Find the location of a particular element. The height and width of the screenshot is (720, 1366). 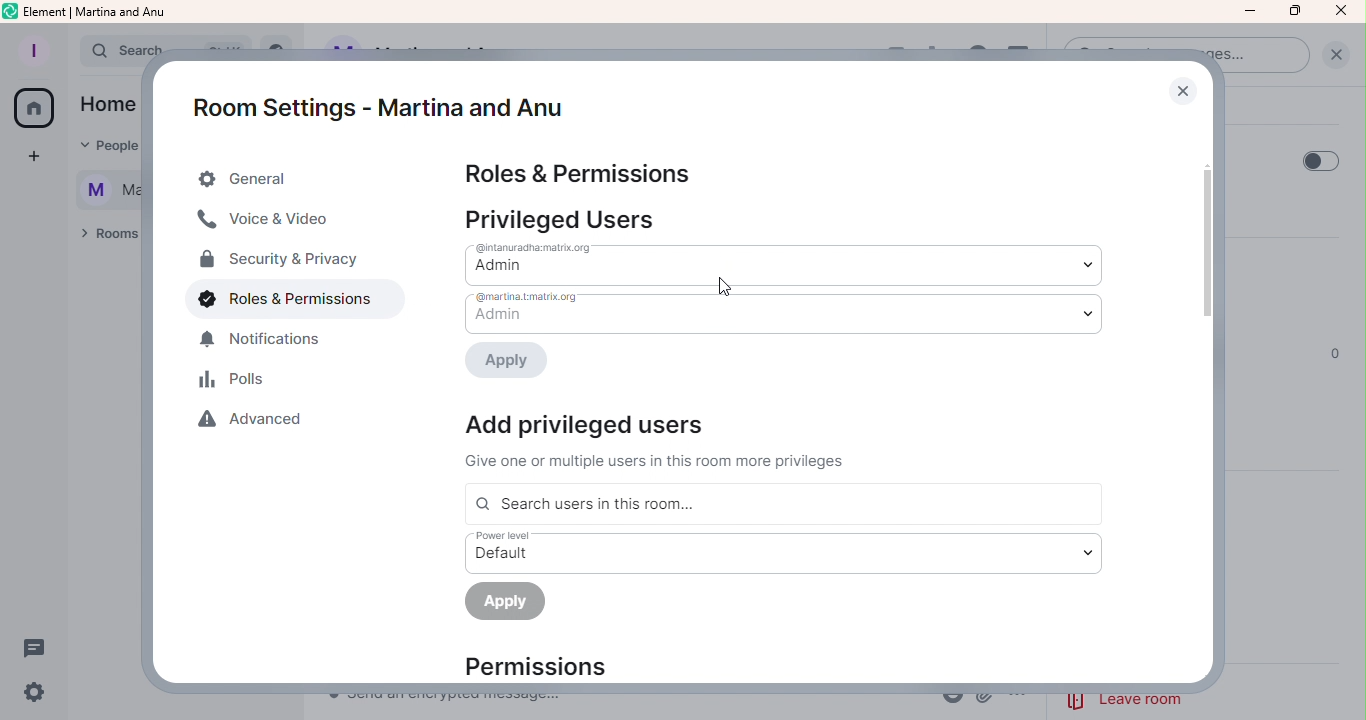

Apply is located at coordinates (507, 604).